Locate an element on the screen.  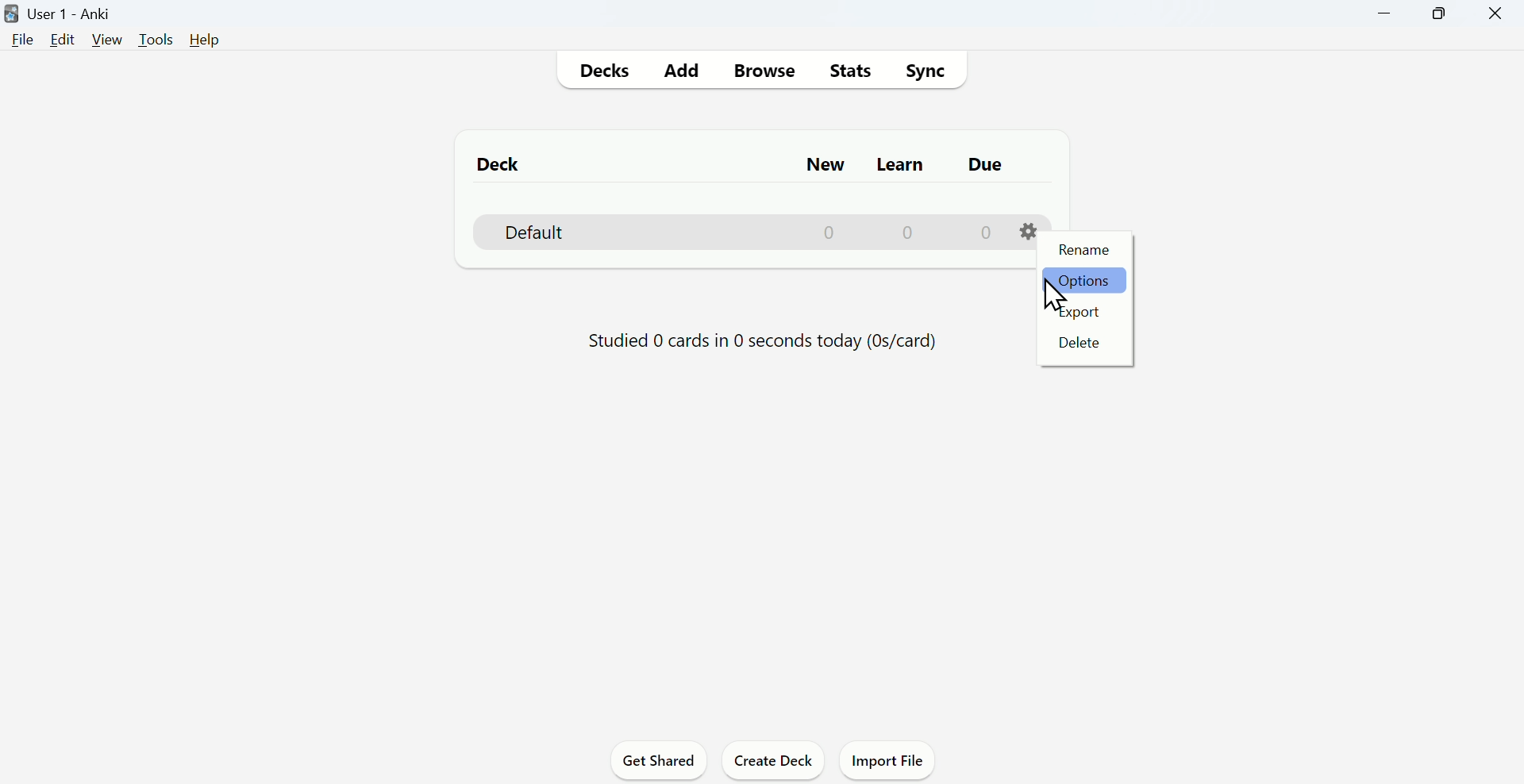
Close is located at coordinates (1498, 16).